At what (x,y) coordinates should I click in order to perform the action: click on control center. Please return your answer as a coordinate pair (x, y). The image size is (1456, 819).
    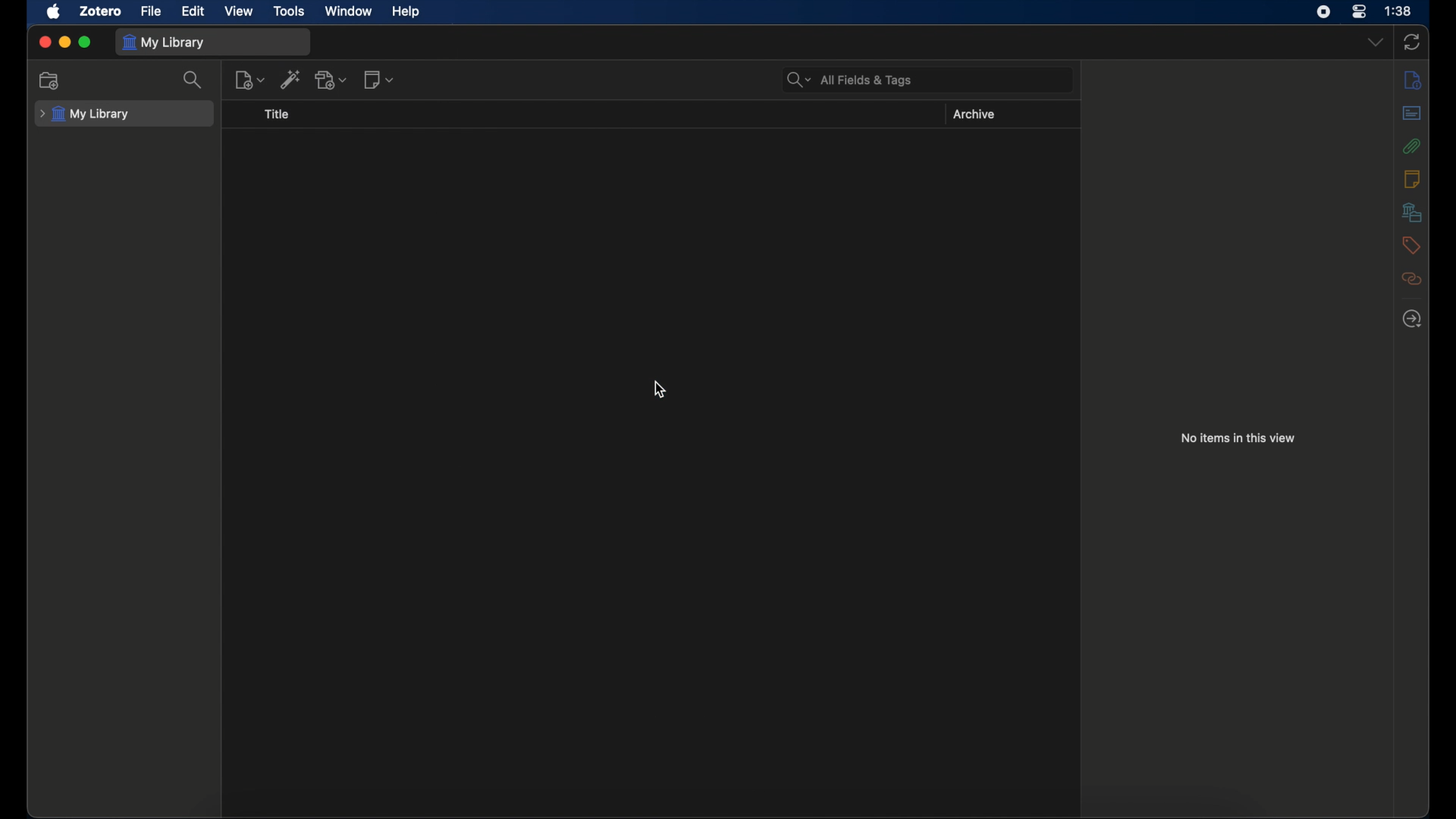
    Looking at the image, I should click on (1360, 12).